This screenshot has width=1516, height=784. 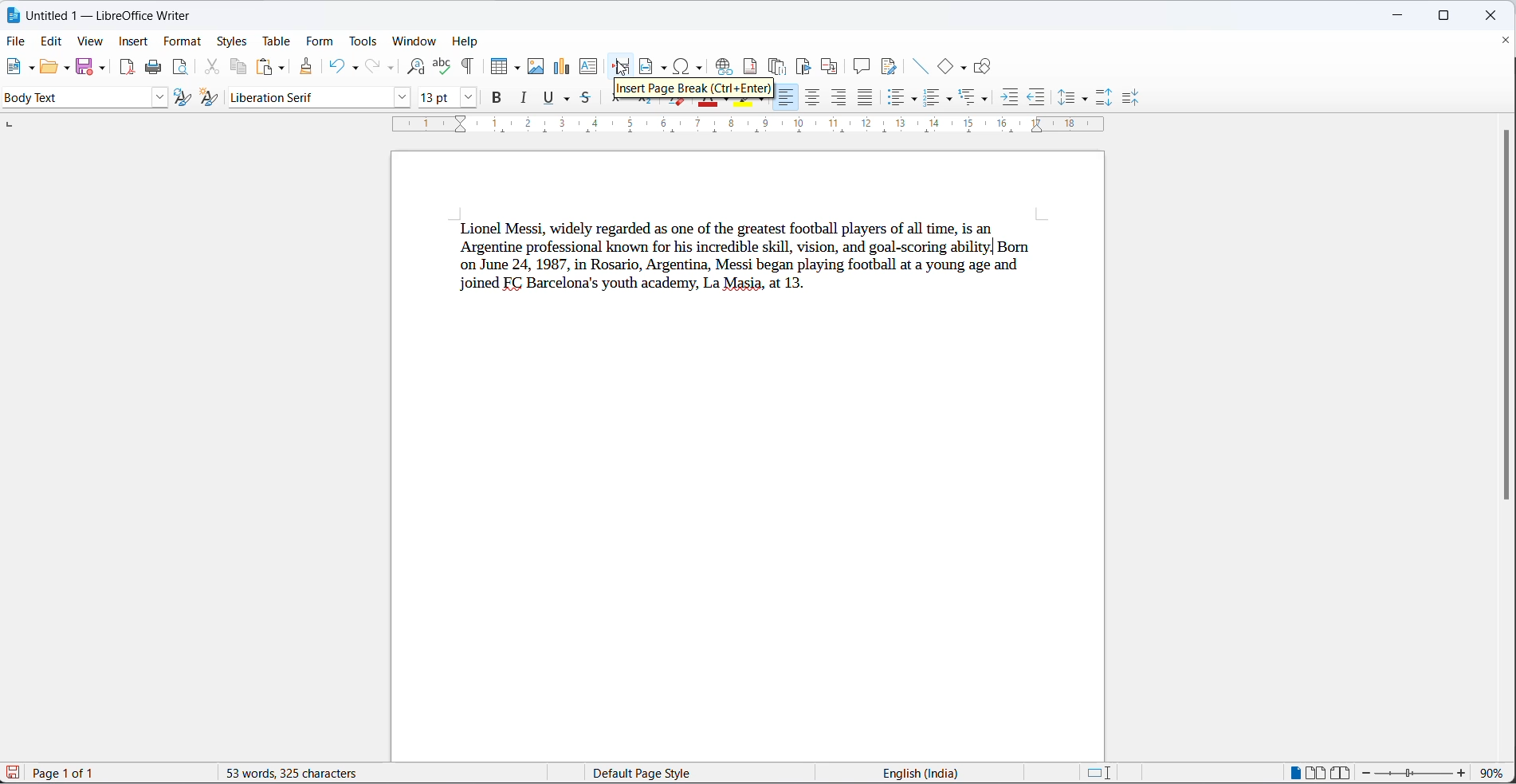 What do you see at coordinates (520, 69) in the screenshot?
I see `table grid` at bounding box center [520, 69].